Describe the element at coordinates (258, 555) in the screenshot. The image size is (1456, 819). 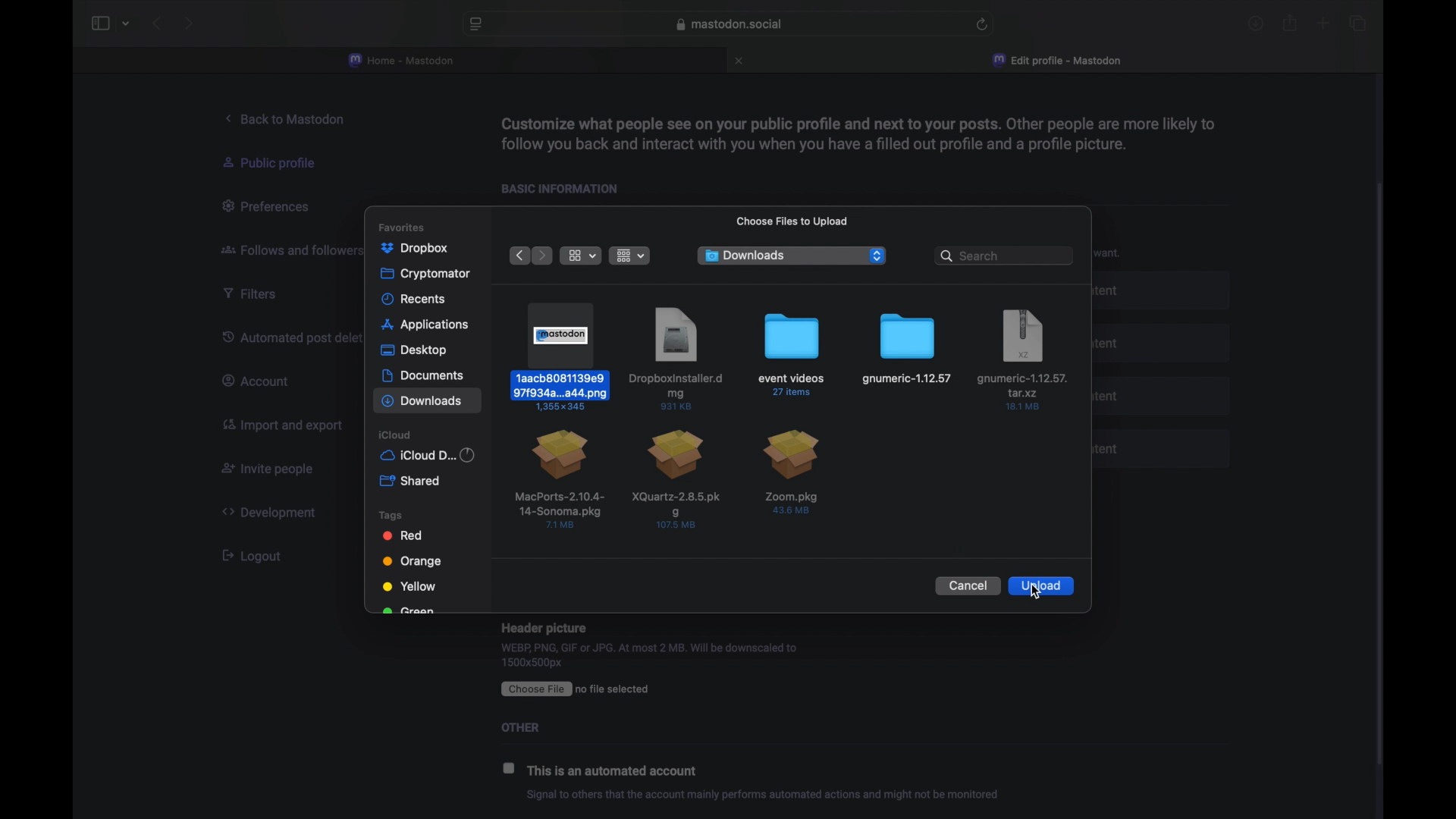
I see `[ Logout` at that location.